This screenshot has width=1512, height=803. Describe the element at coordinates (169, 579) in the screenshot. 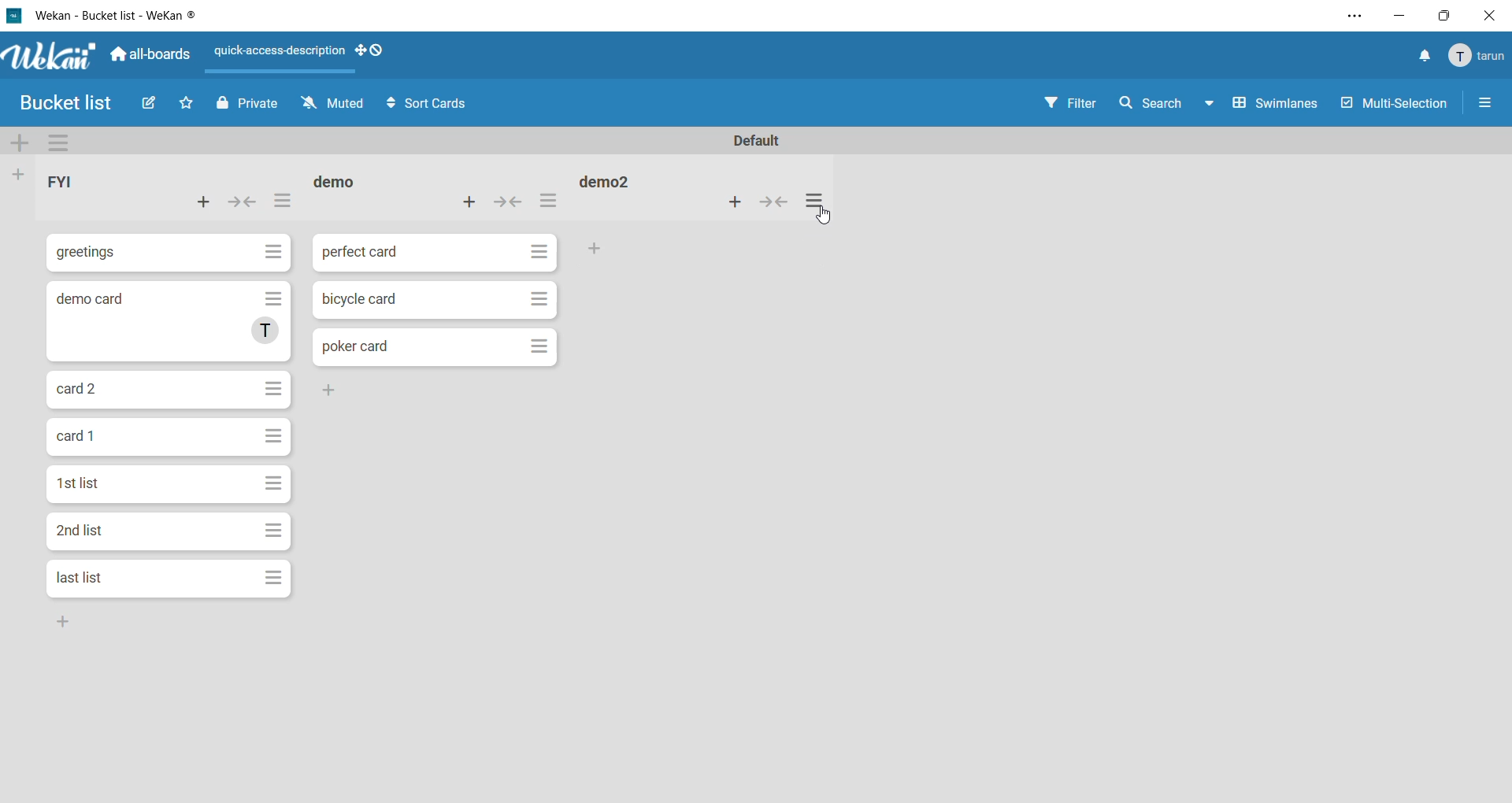

I see `cards` at that location.